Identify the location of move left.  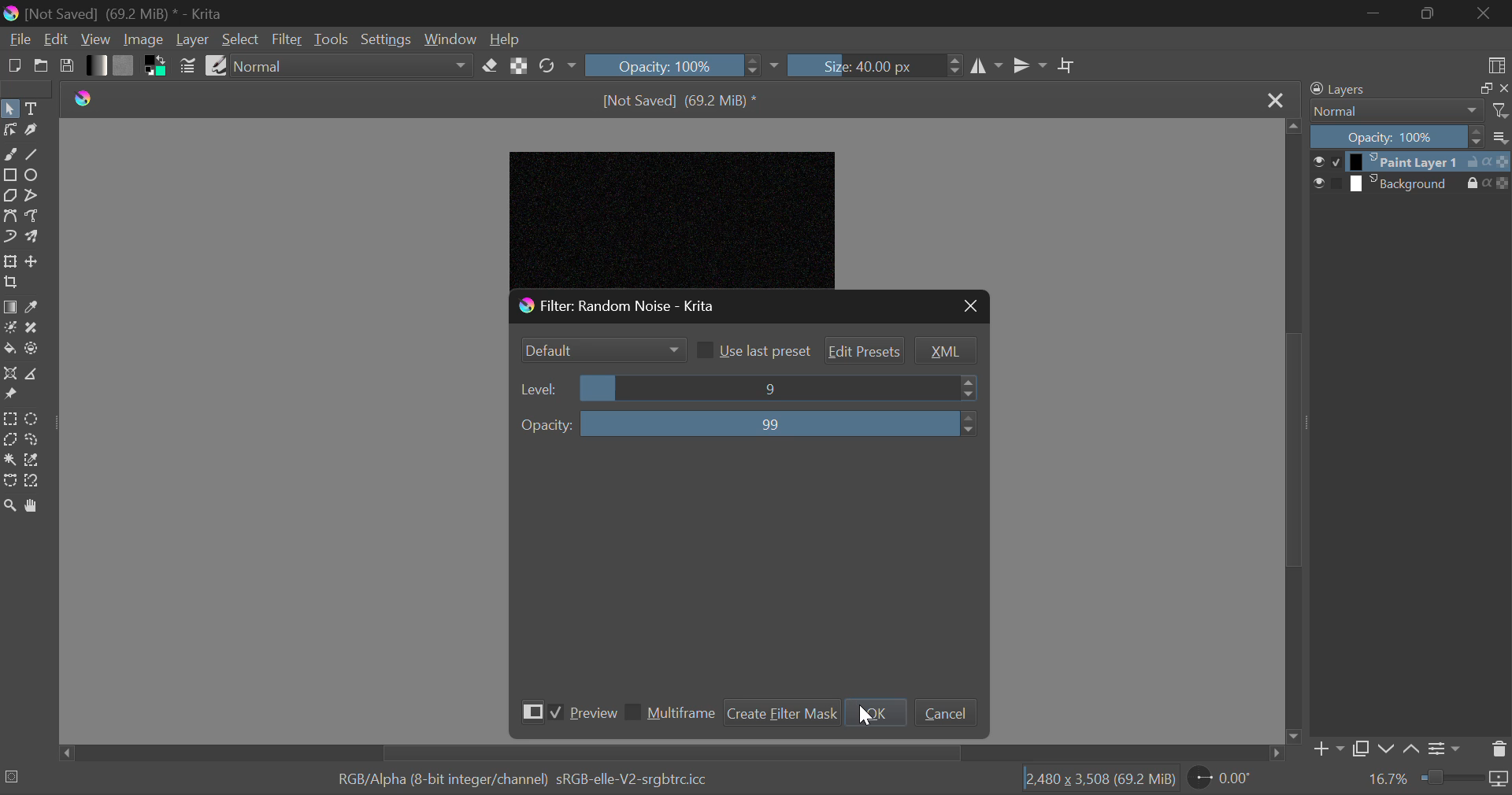
(61, 753).